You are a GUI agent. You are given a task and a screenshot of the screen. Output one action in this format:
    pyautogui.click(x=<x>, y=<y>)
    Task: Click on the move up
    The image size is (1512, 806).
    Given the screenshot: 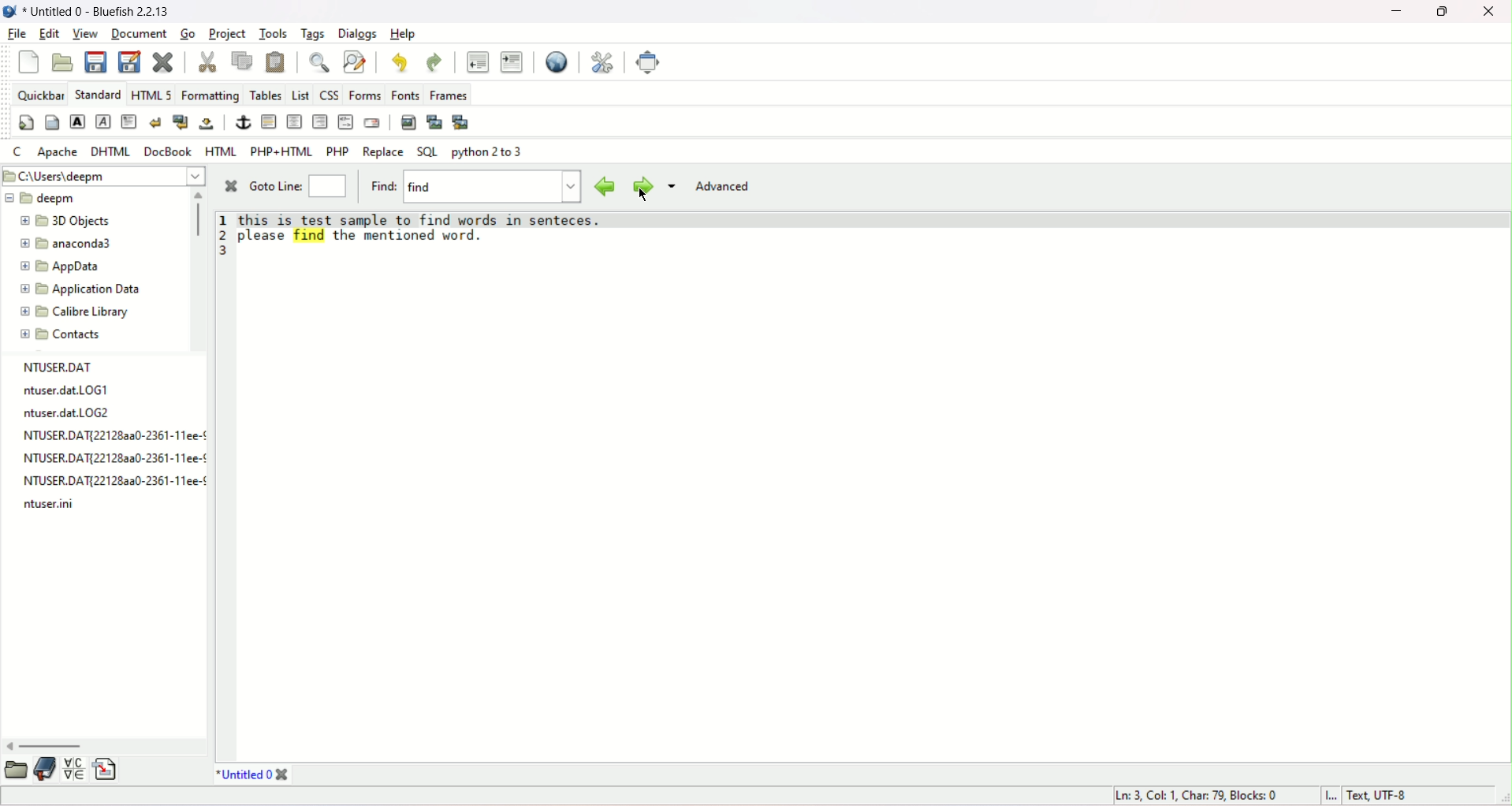 What is the action you would take?
    pyautogui.click(x=200, y=195)
    